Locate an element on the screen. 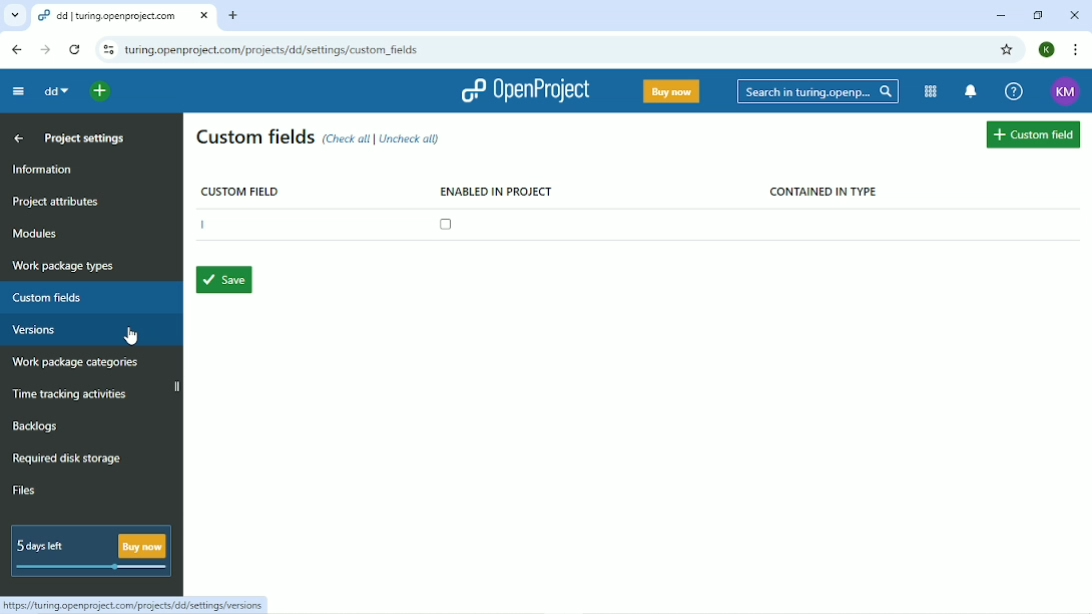 The height and width of the screenshot is (614, 1092). Custom field is located at coordinates (240, 189).